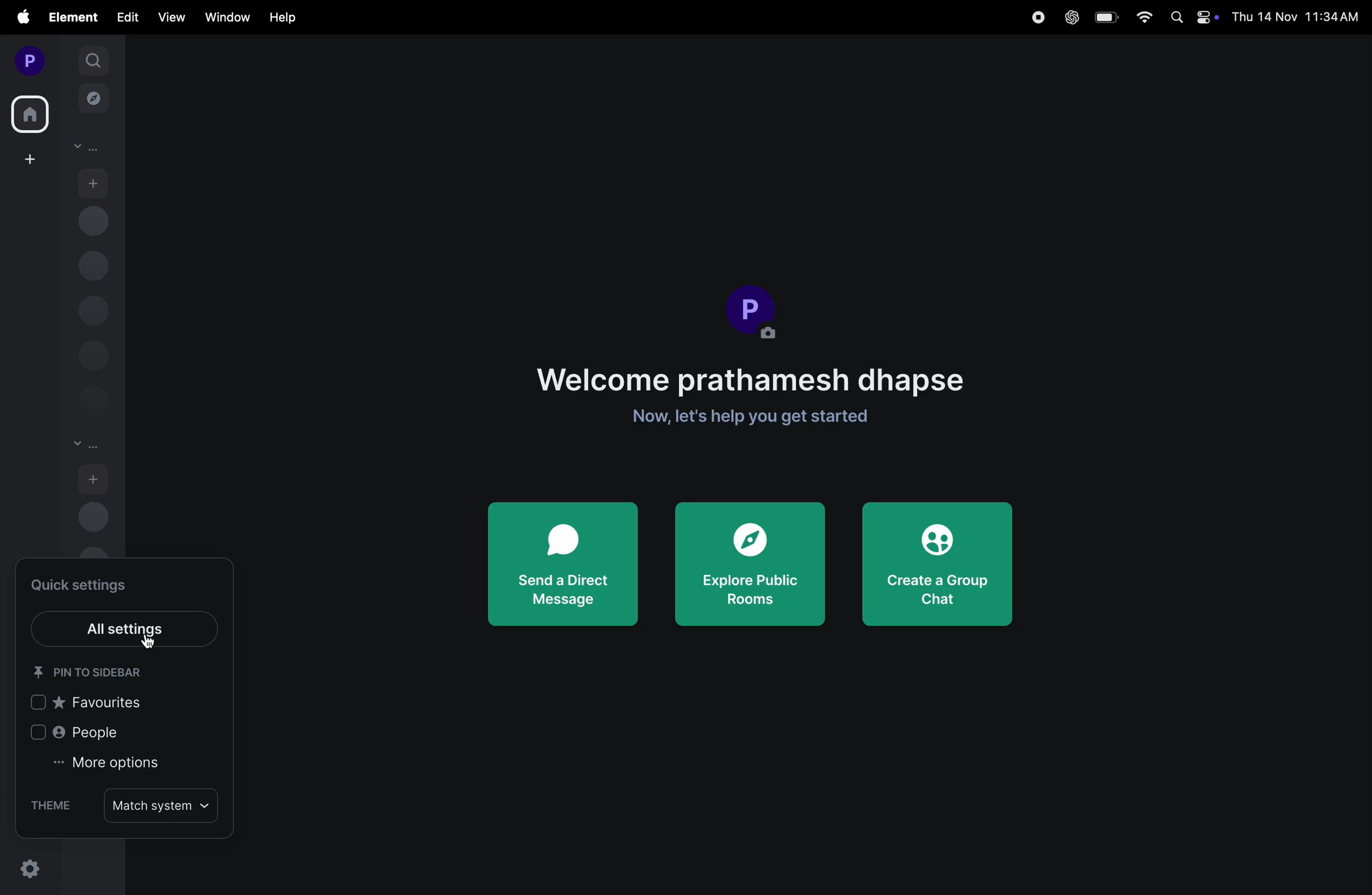 Image resolution: width=1372 pixels, height=895 pixels. Describe the element at coordinates (84, 736) in the screenshot. I see `people` at that location.